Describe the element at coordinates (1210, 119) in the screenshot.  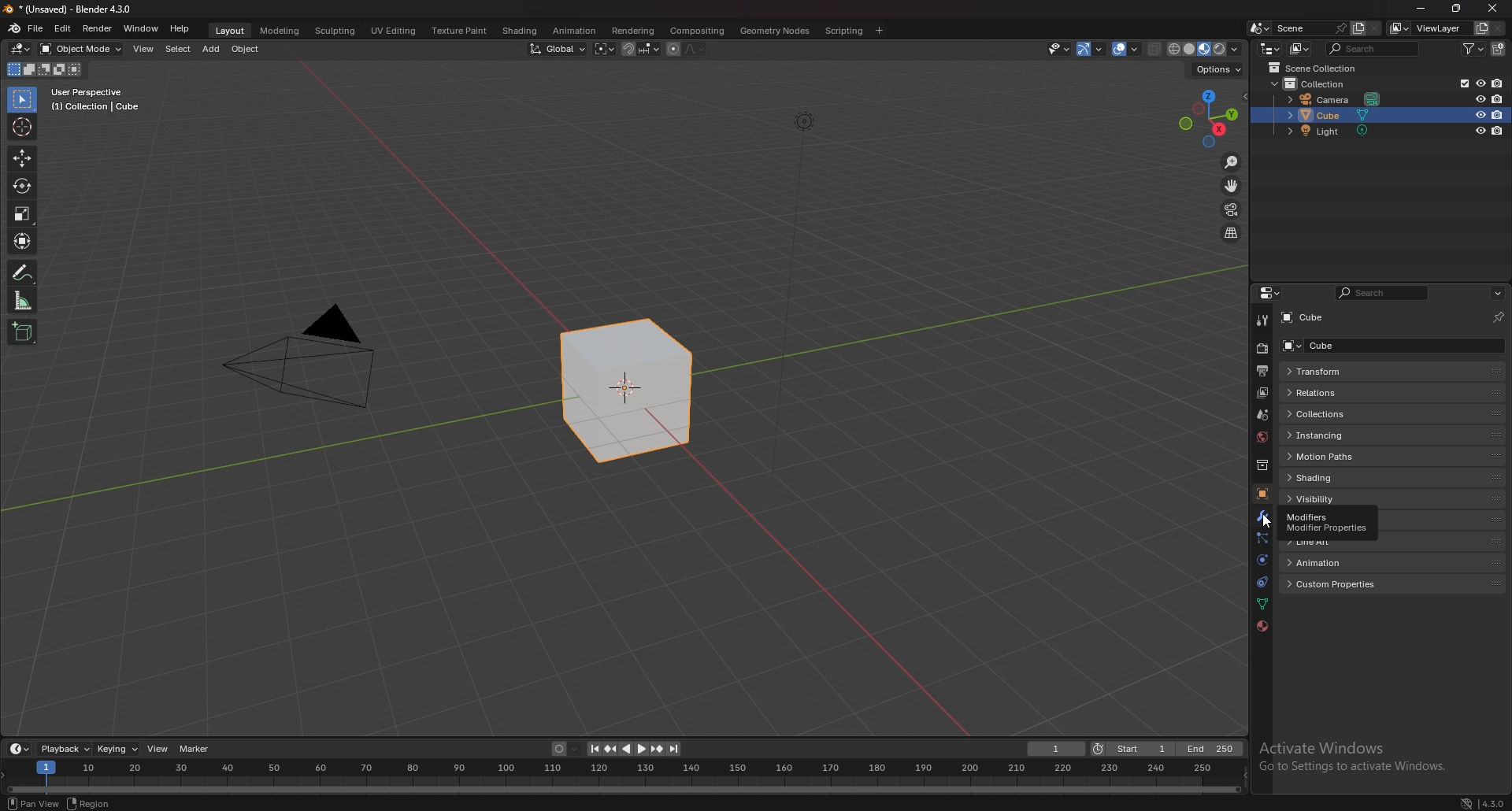
I see `use a preset viewport` at that location.